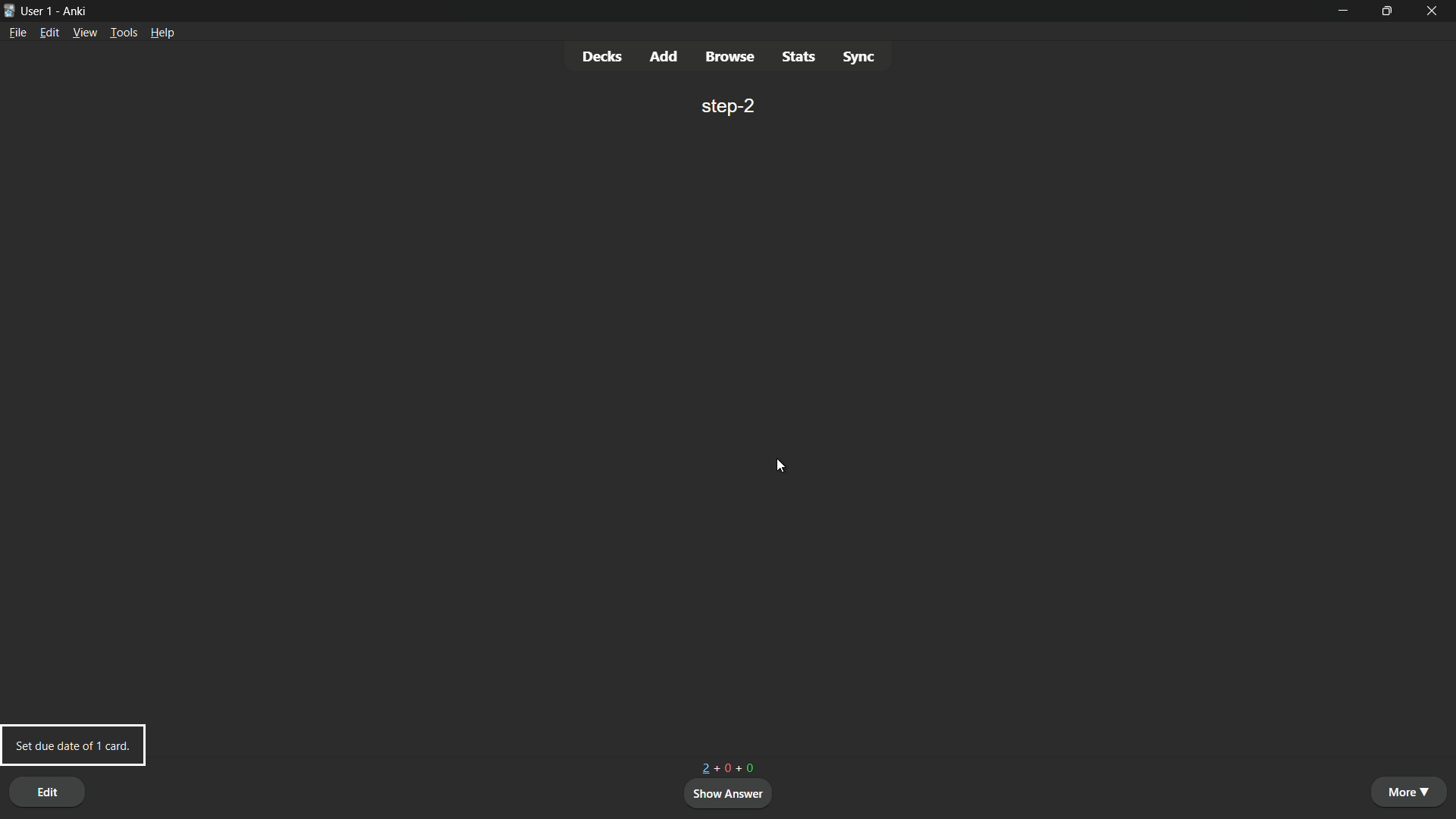 This screenshot has height=819, width=1456. Describe the element at coordinates (707, 768) in the screenshot. I see `3` at that location.